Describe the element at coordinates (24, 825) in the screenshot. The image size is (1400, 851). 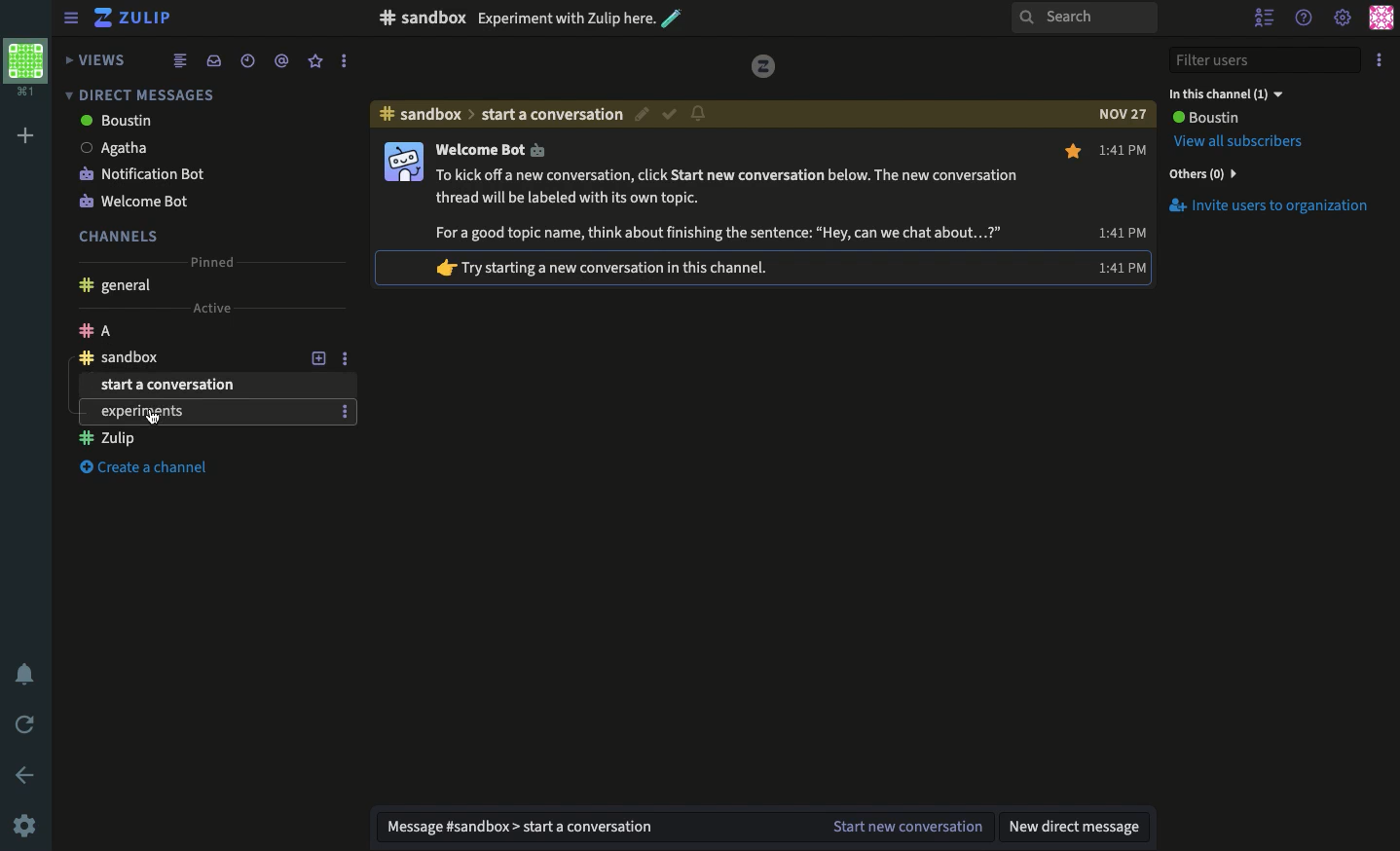
I see `Settings` at that location.